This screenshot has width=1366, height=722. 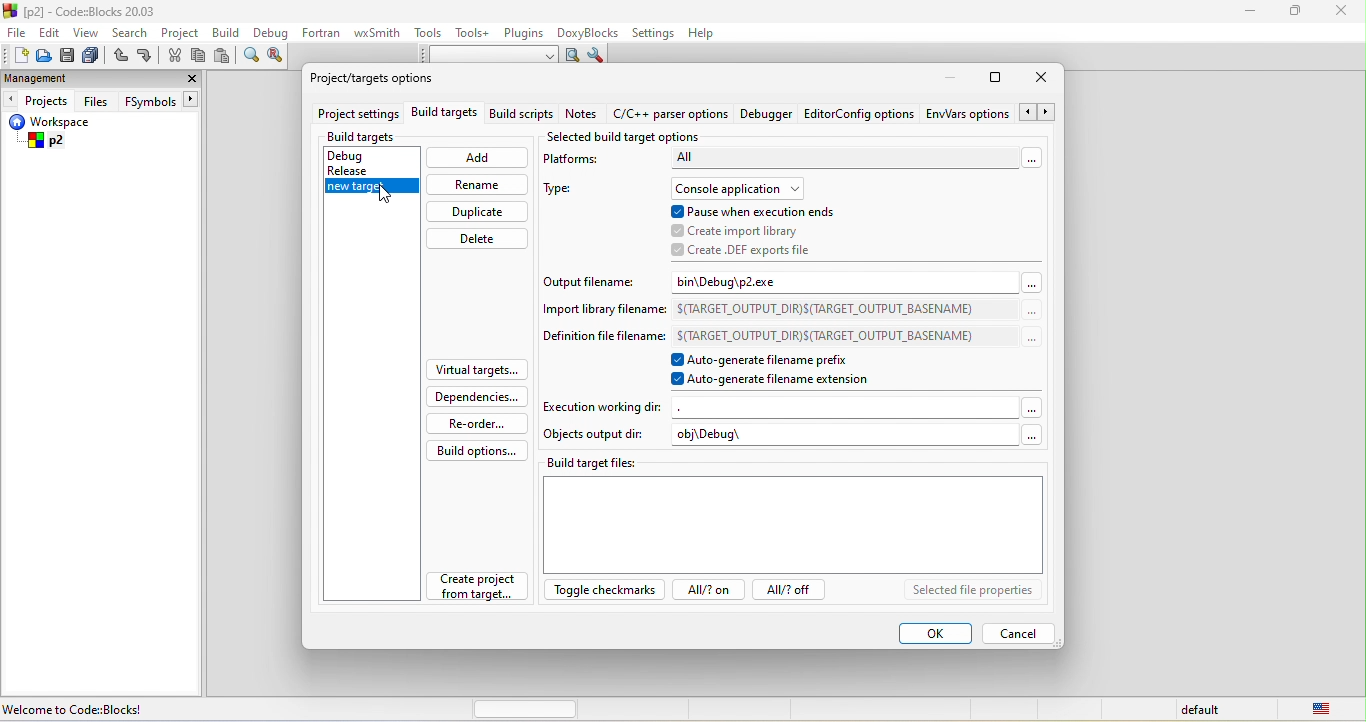 I want to click on auto generate filename prefex, so click(x=776, y=360).